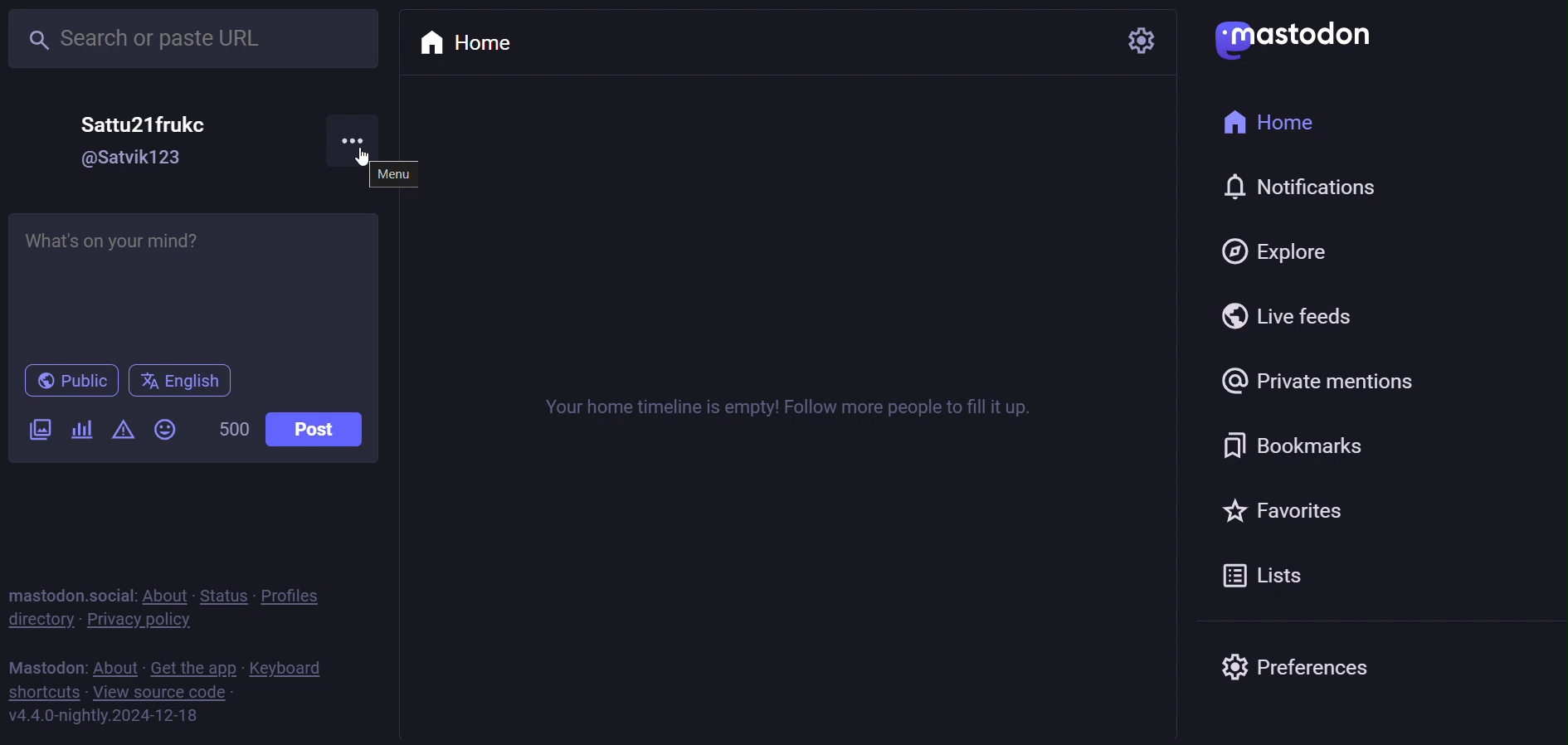 The height and width of the screenshot is (745, 1568). What do you see at coordinates (231, 426) in the screenshot?
I see `500` at bounding box center [231, 426].